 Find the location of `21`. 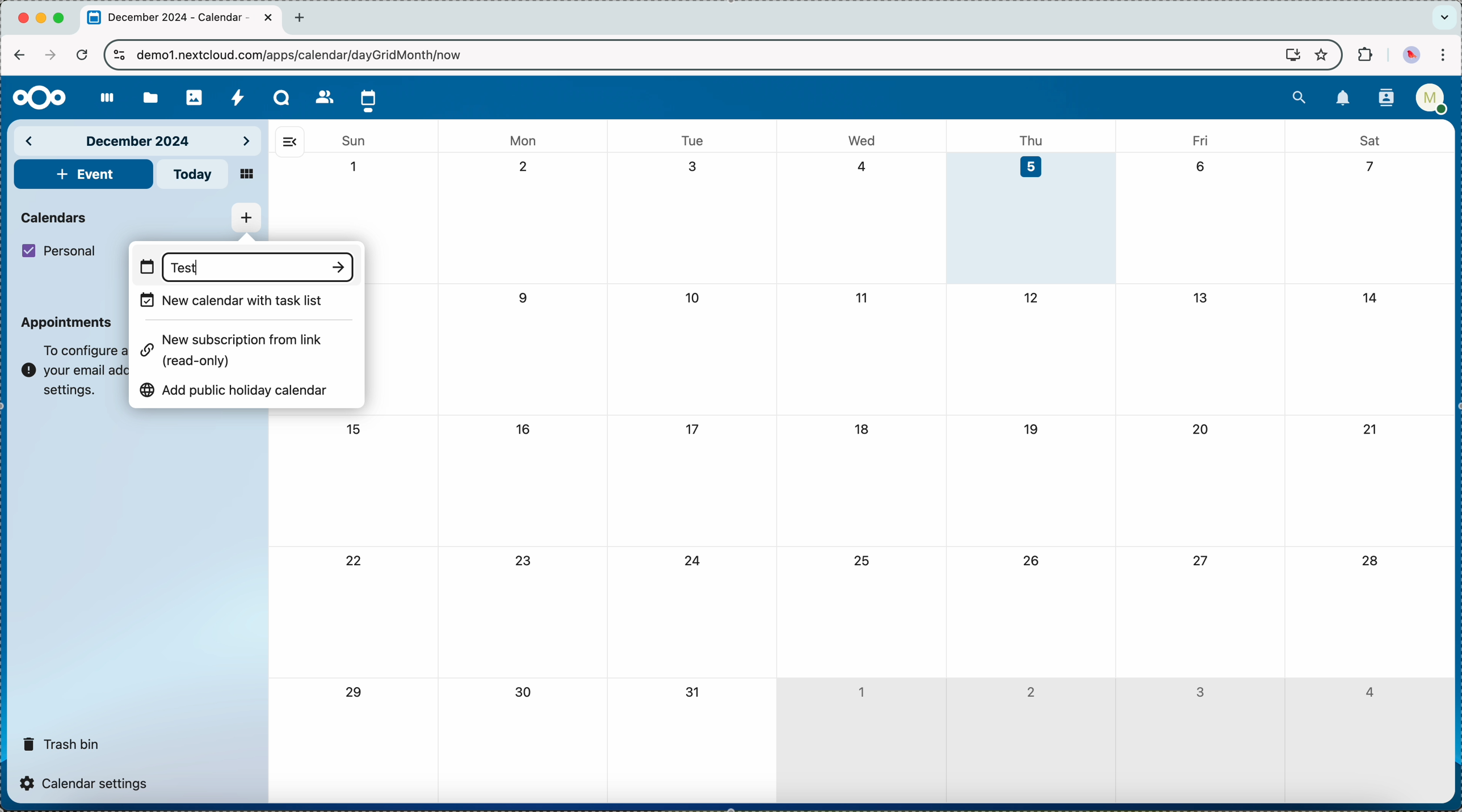

21 is located at coordinates (1369, 429).